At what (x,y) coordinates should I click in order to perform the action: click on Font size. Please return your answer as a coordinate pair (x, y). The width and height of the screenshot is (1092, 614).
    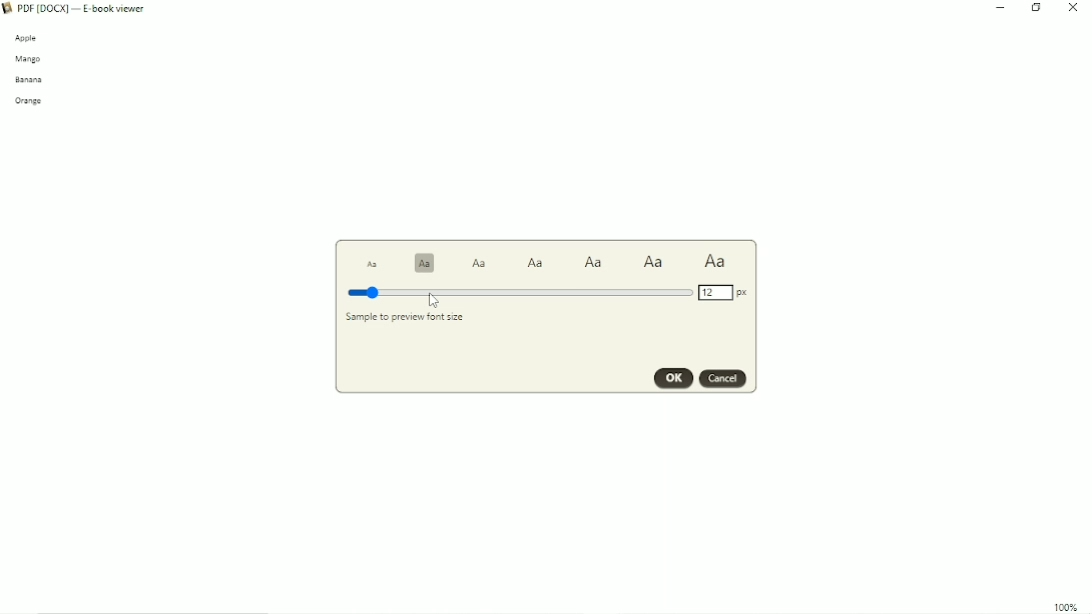
    Looking at the image, I should click on (724, 292).